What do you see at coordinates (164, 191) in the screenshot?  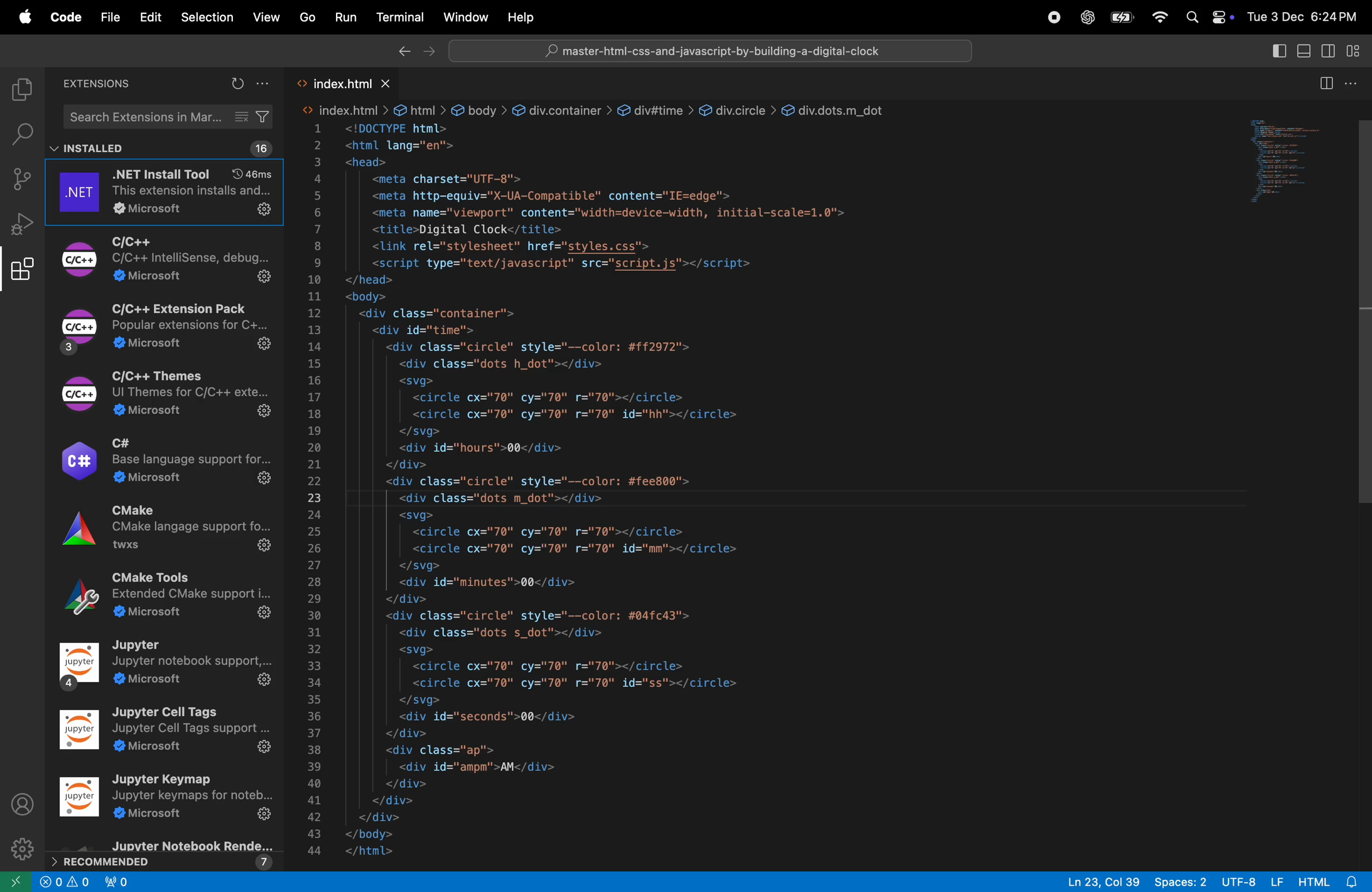 I see `.net tool extension` at bounding box center [164, 191].